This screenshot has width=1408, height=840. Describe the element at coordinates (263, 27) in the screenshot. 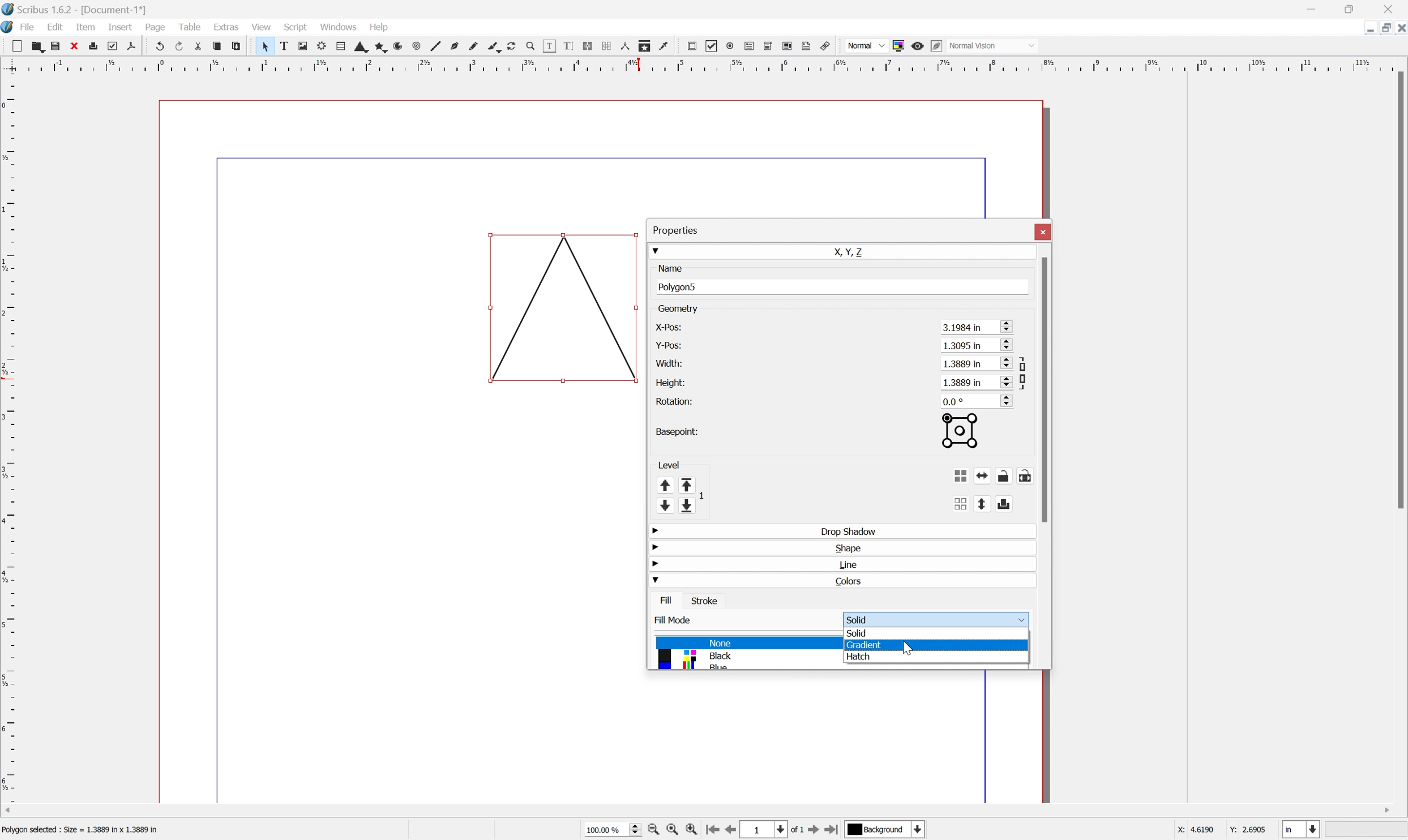

I see `View` at that location.